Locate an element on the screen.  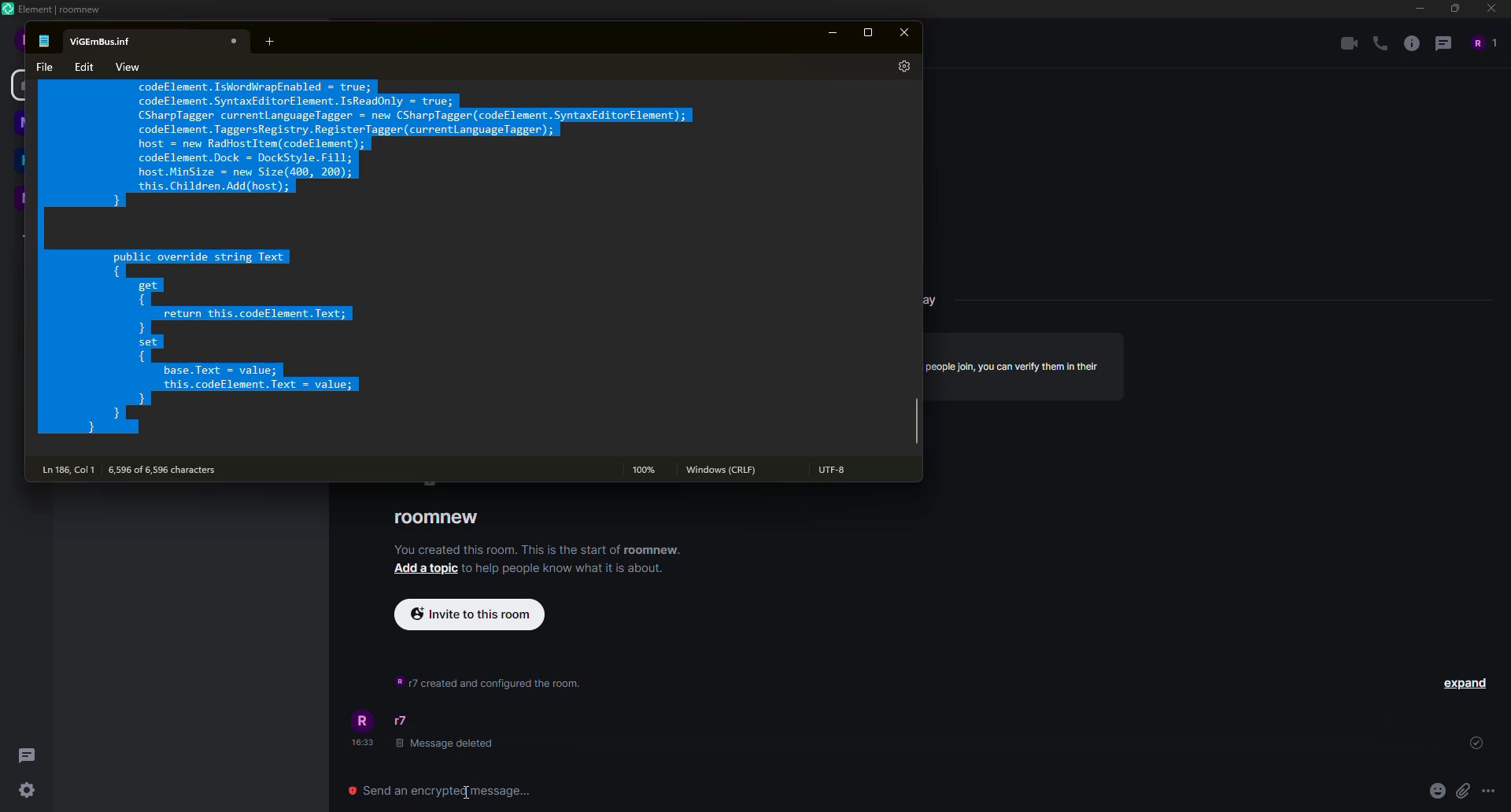
attach is located at coordinates (1462, 789).